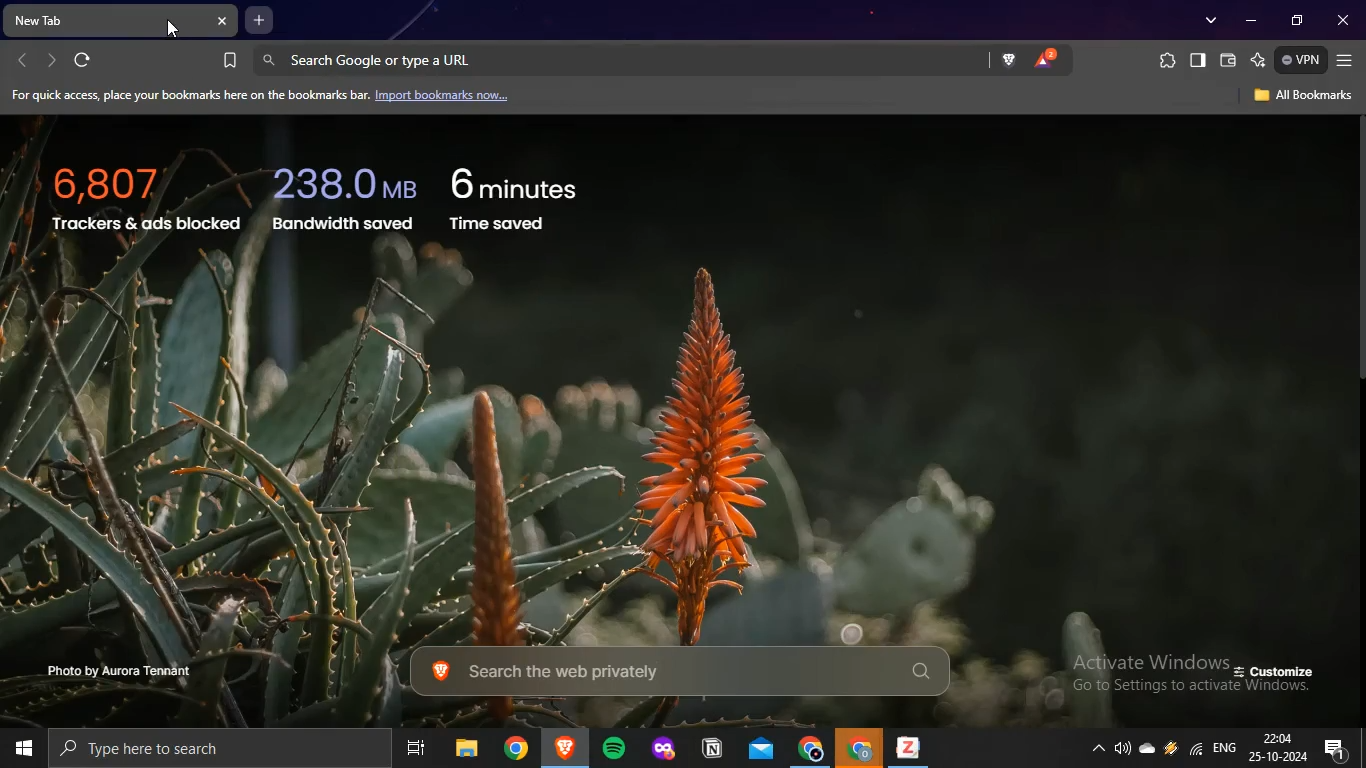 The image size is (1366, 768). What do you see at coordinates (1258, 59) in the screenshot?
I see `leo AI` at bounding box center [1258, 59].